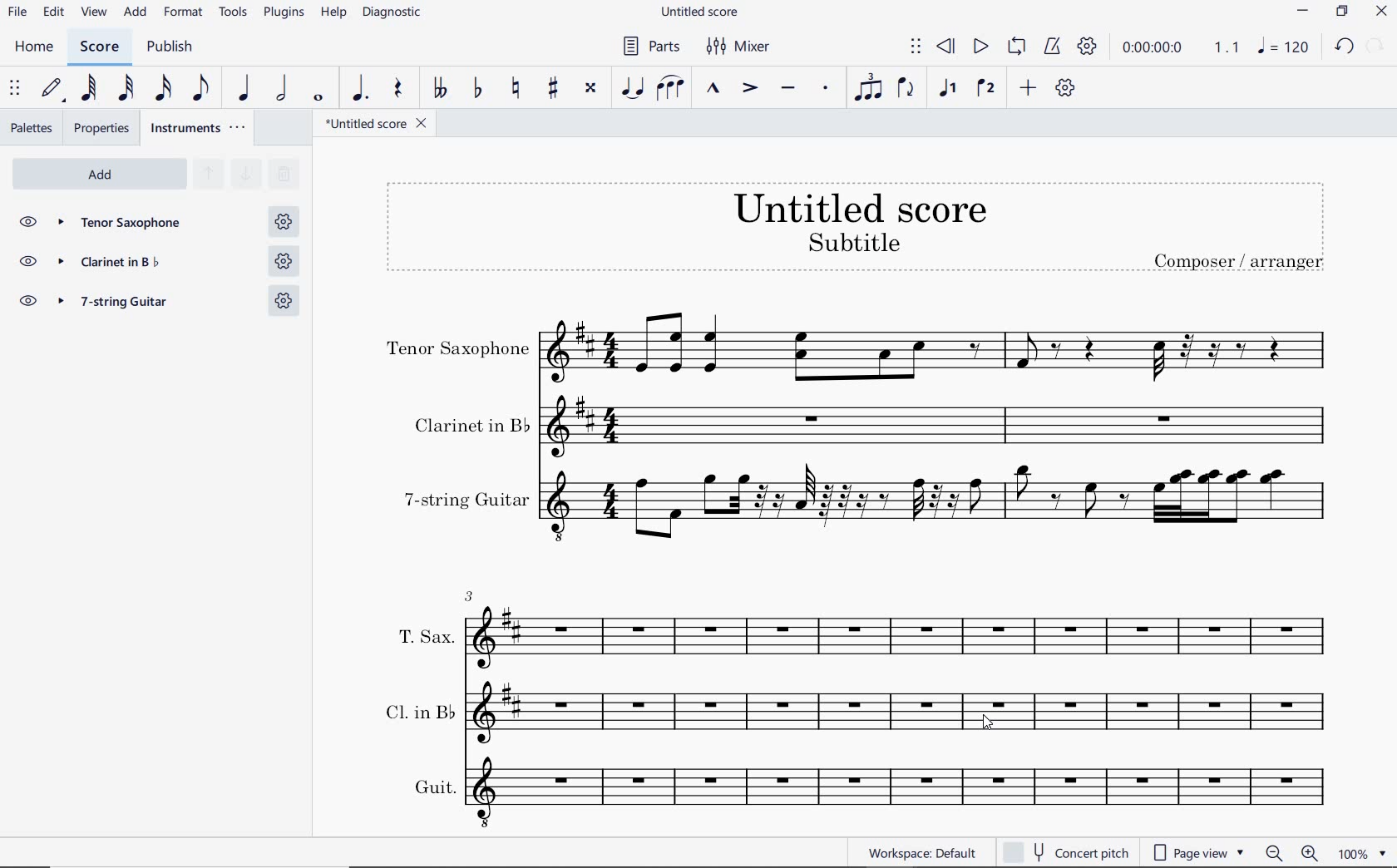 Image resolution: width=1397 pixels, height=868 pixels. What do you see at coordinates (97, 47) in the screenshot?
I see `SCORE` at bounding box center [97, 47].